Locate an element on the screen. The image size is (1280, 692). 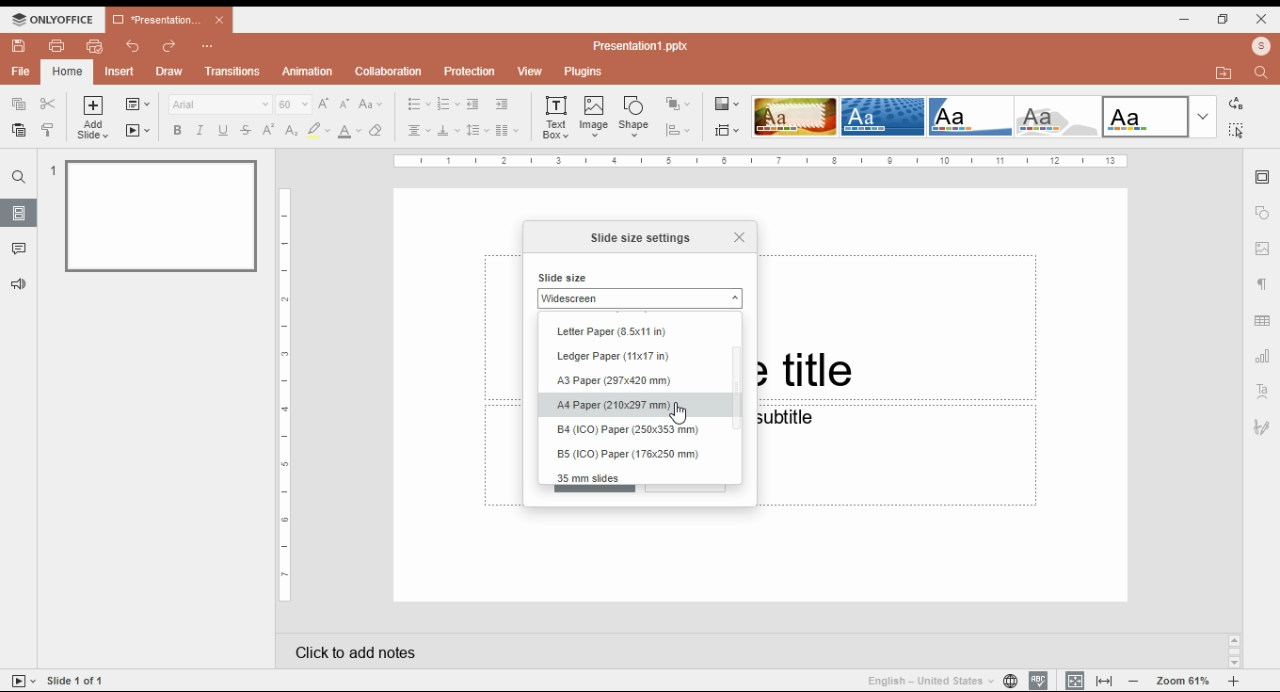
erase is located at coordinates (377, 131).